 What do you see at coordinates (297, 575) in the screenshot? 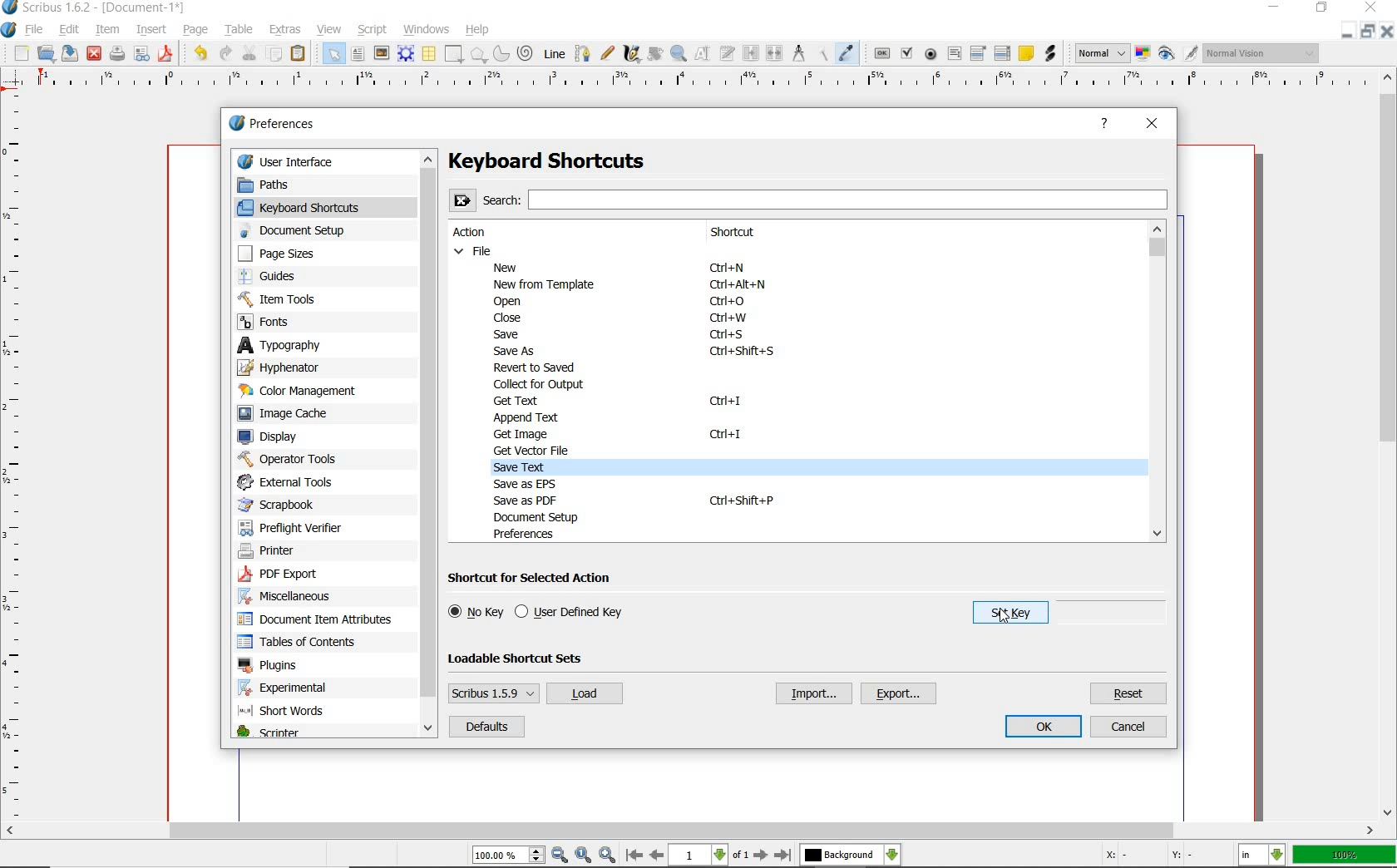
I see `pdf export` at bounding box center [297, 575].